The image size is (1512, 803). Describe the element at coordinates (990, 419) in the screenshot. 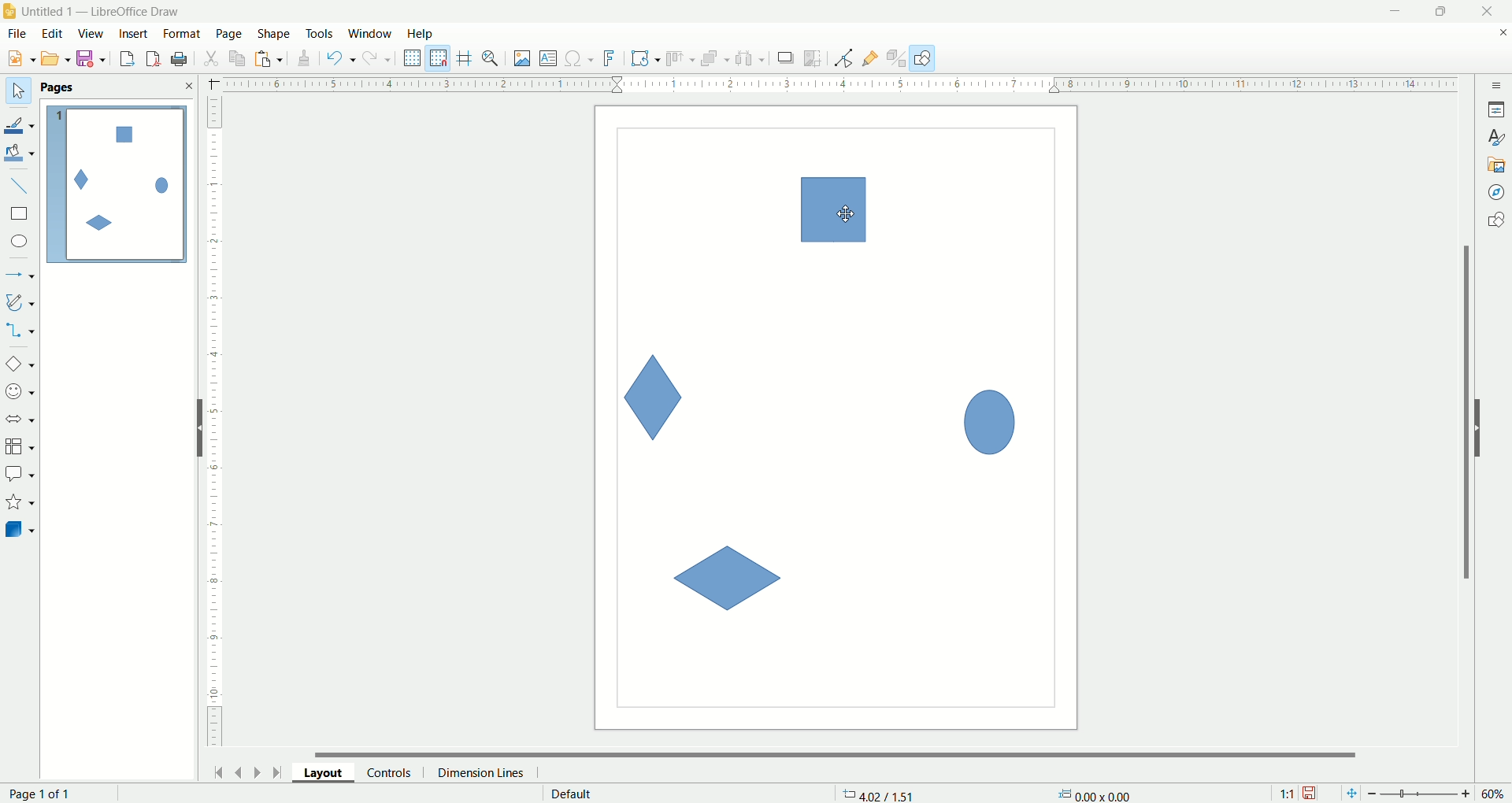

I see `unselected shape` at that location.